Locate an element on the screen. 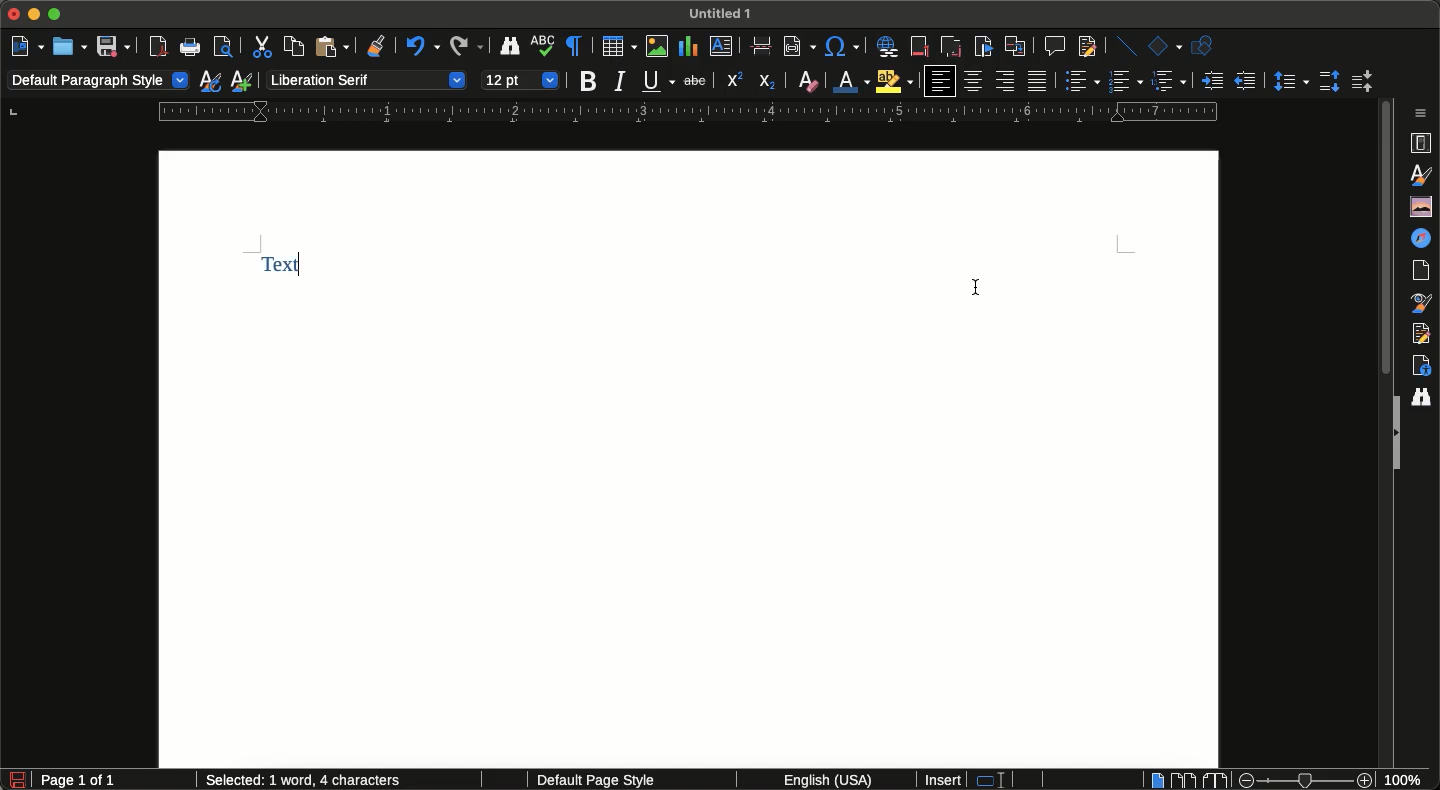 The width and height of the screenshot is (1440, 790). Properties is located at coordinates (1423, 141).